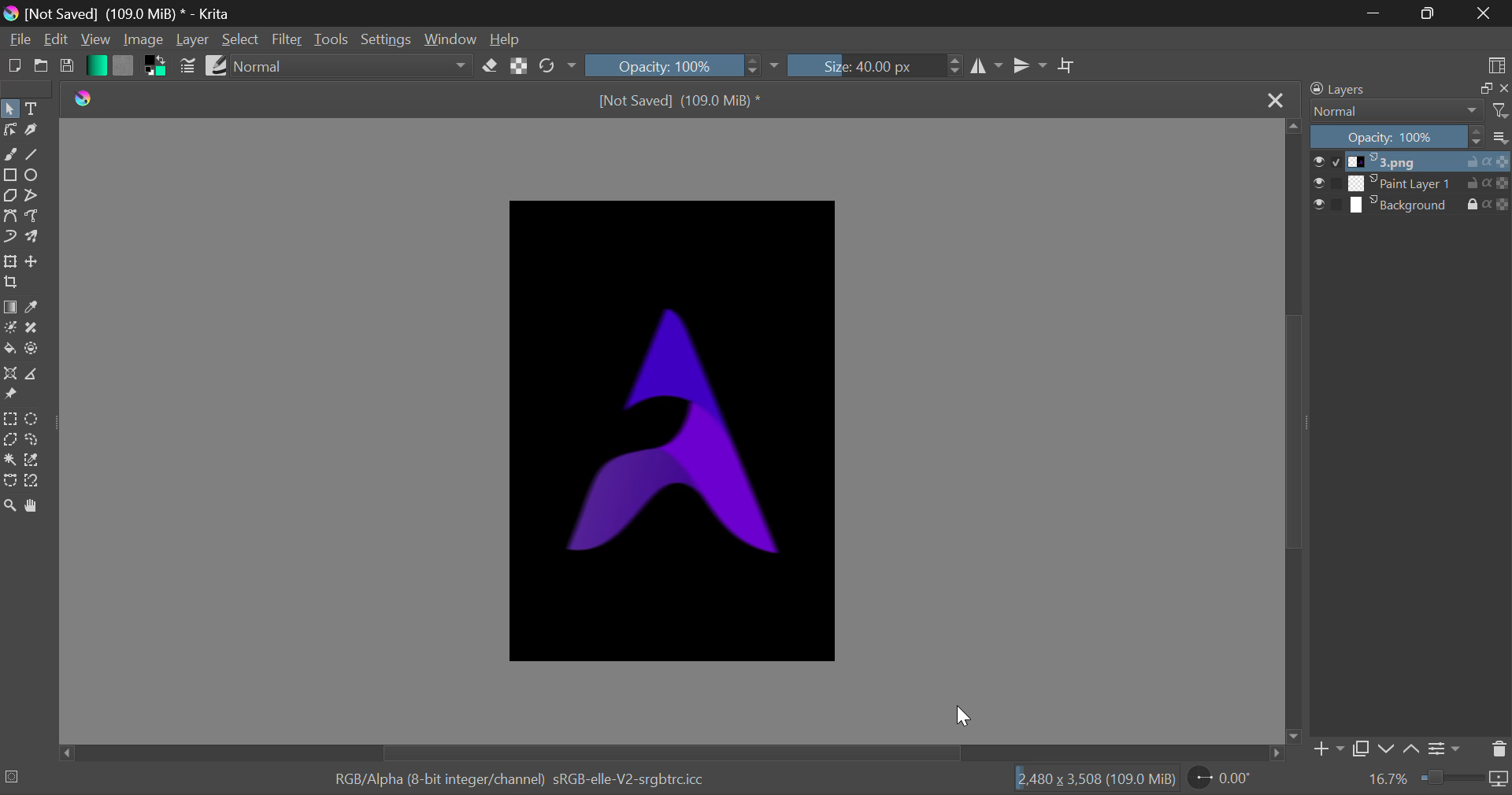 The height and width of the screenshot is (795, 1512). Describe the element at coordinates (33, 215) in the screenshot. I see `Freehand Path Tool` at that location.